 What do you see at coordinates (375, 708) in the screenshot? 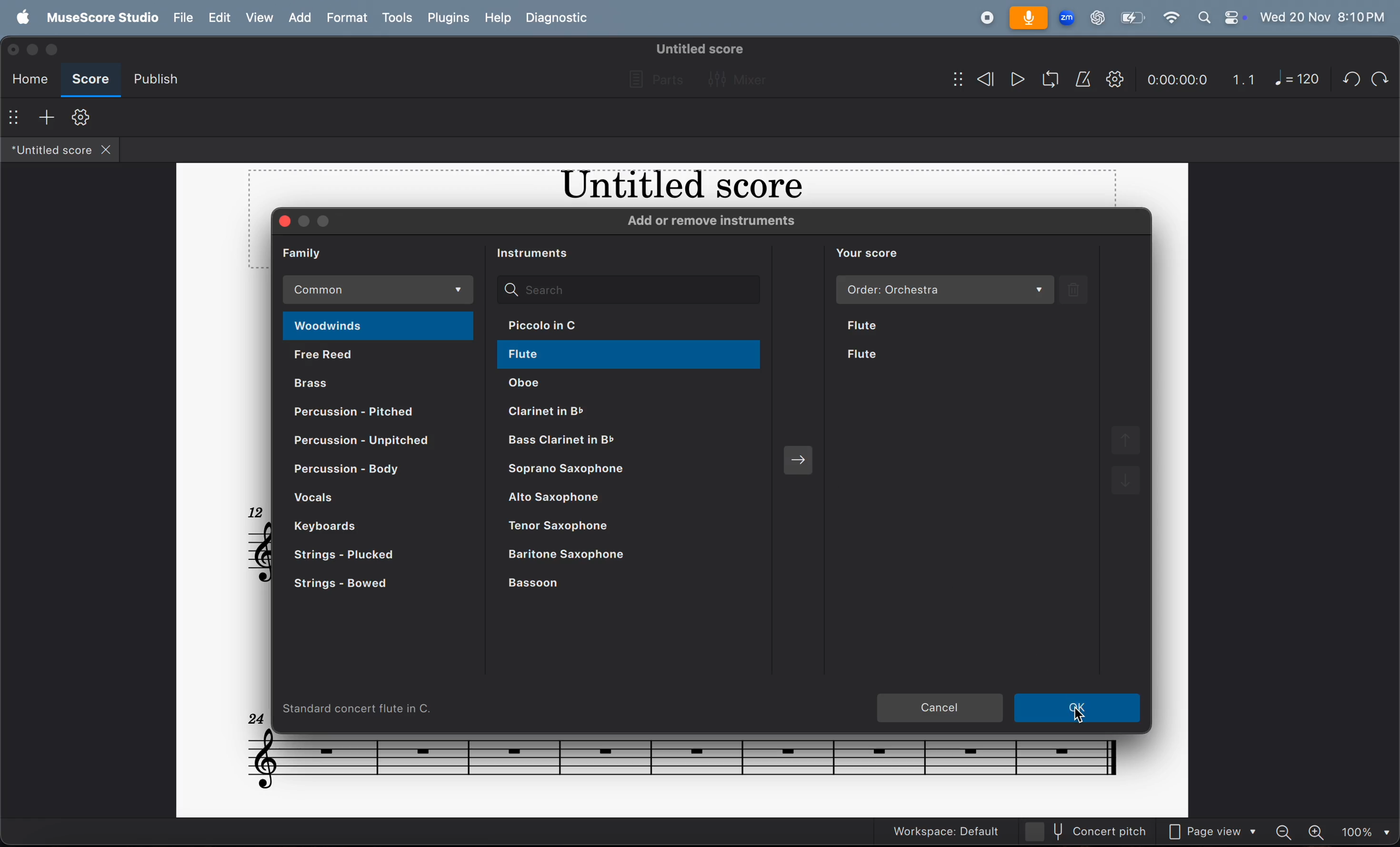
I see `standard concert flute in c.` at bounding box center [375, 708].